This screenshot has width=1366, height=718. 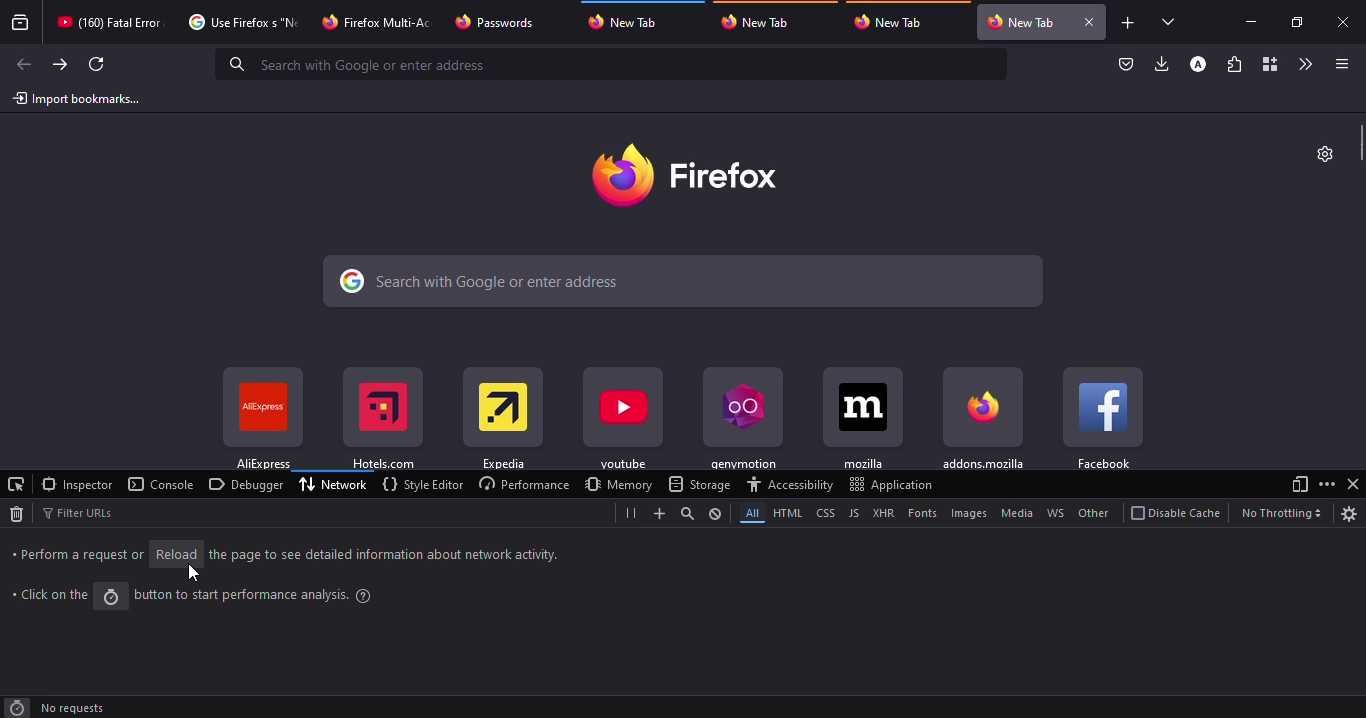 What do you see at coordinates (194, 572) in the screenshot?
I see `cursor` at bounding box center [194, 572].